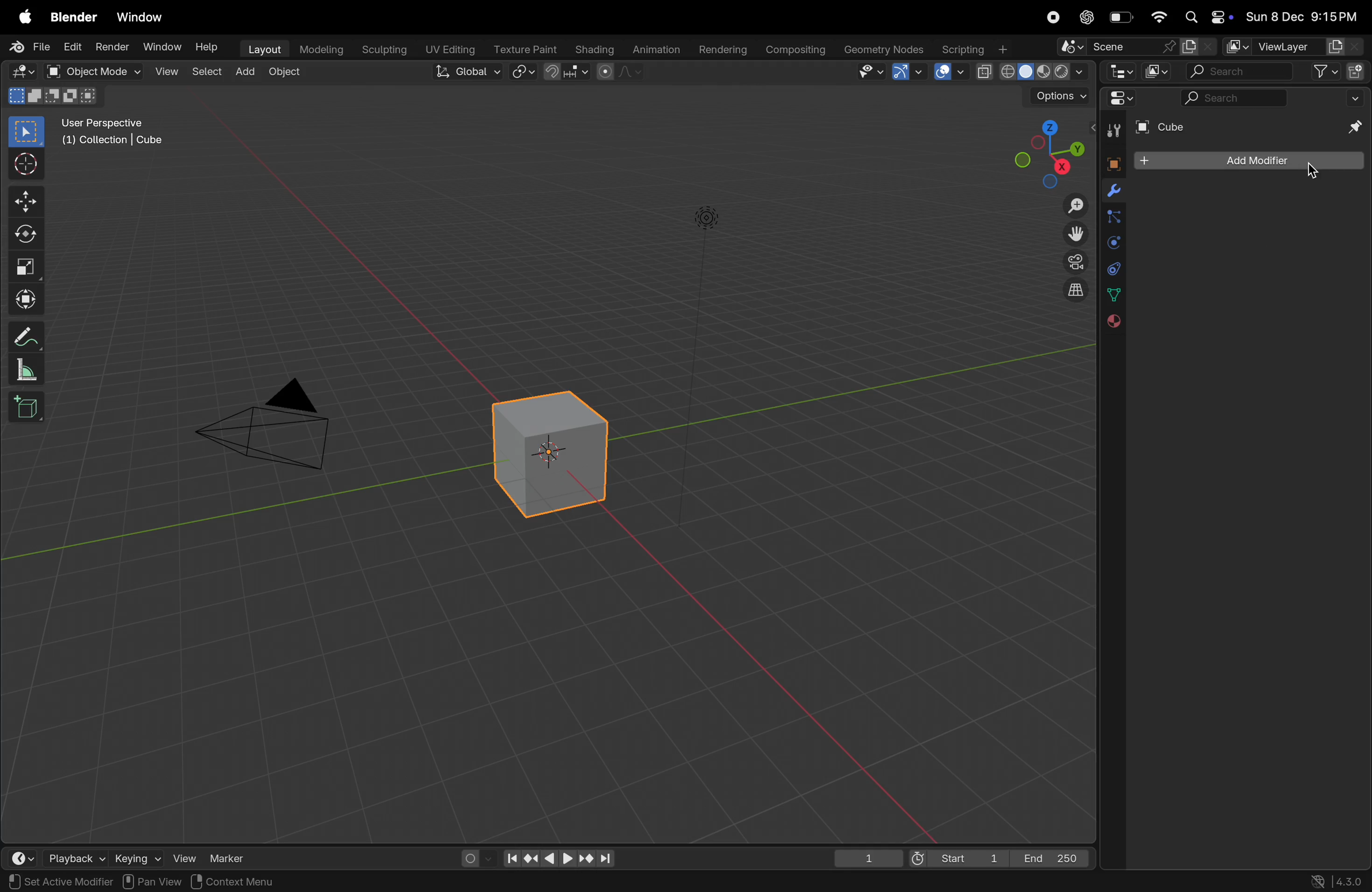 The height and width of the screenshot is (892, 1372). Describe the element at coordinates (275, 429) in the screenshot. I see `perspective camera` at that location.